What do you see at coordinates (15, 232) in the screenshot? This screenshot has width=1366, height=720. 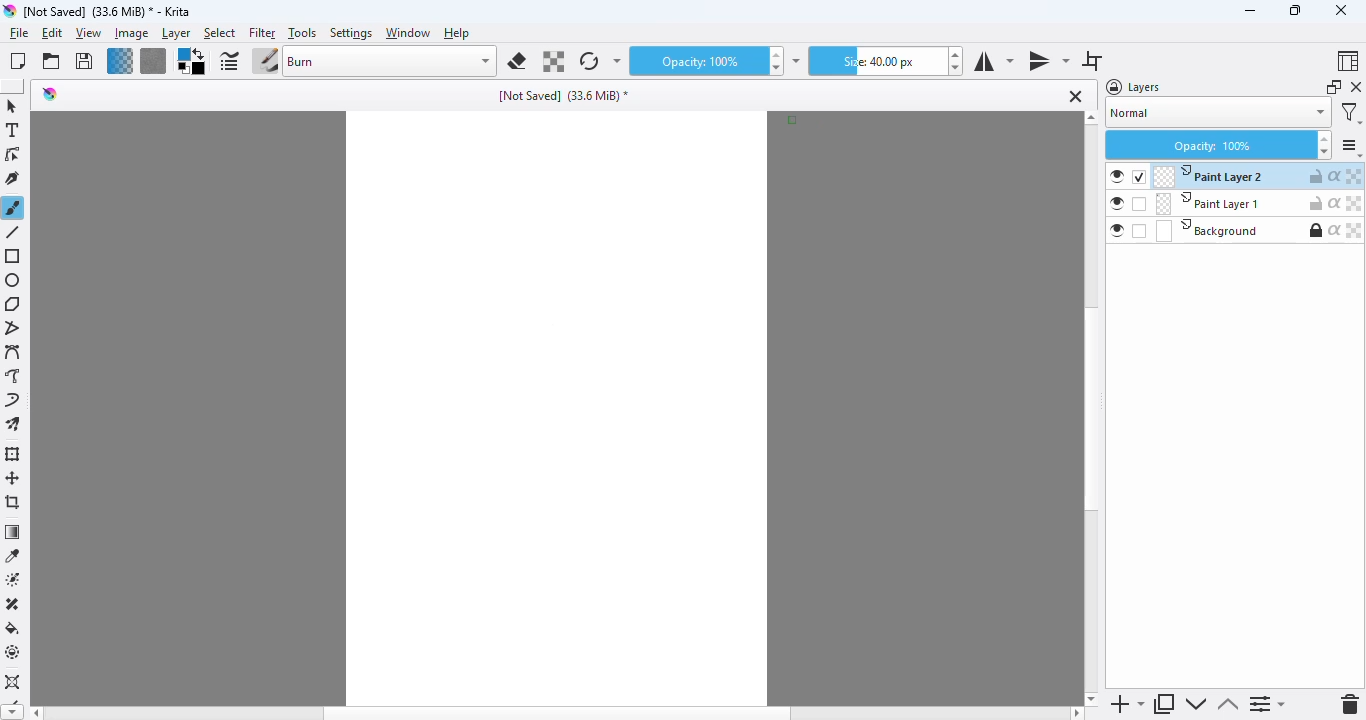 I see `line tool` at bounding box center [15, 232].